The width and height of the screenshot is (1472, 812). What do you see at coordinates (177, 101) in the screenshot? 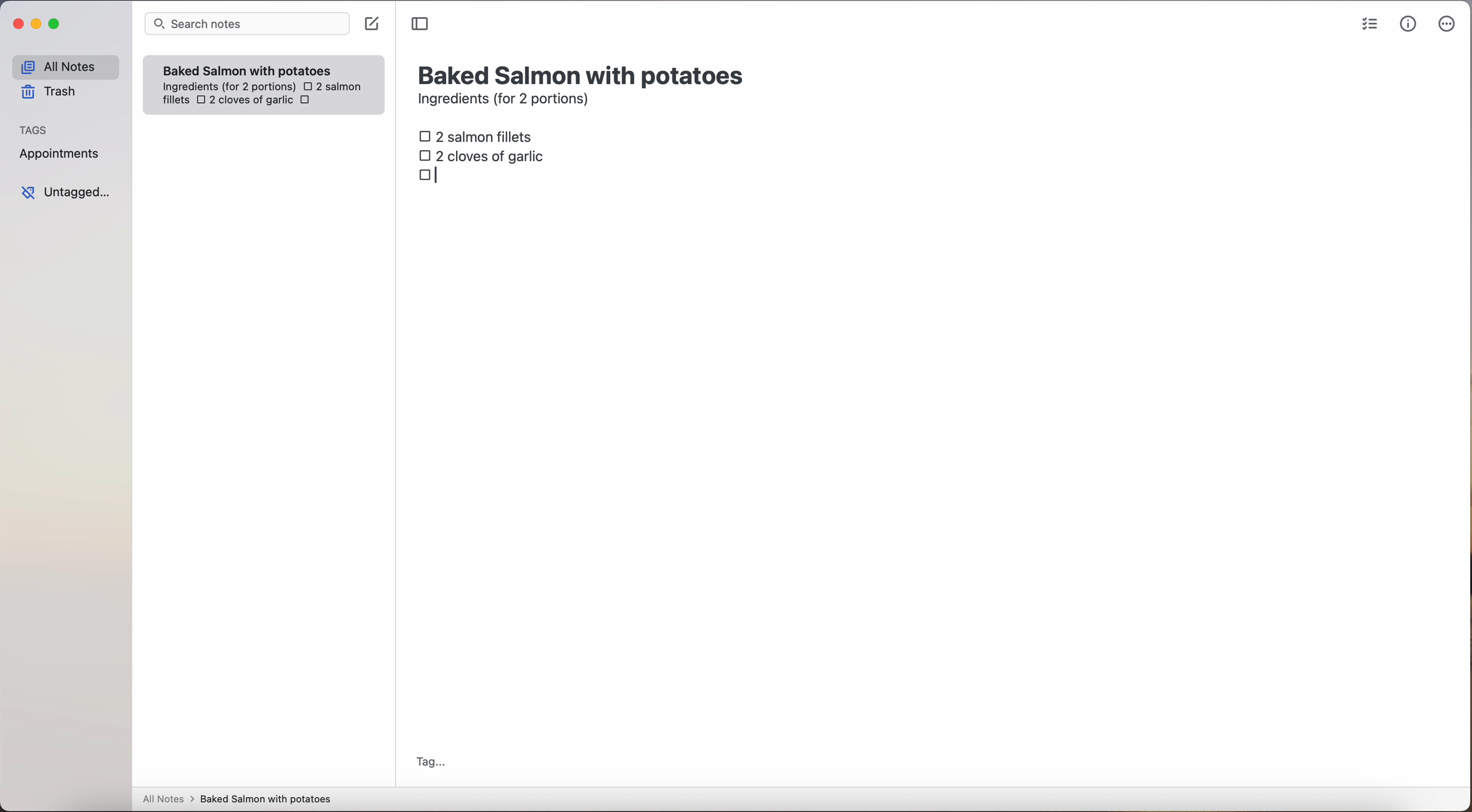
I see `fillets` at bounding box center [177, 101].